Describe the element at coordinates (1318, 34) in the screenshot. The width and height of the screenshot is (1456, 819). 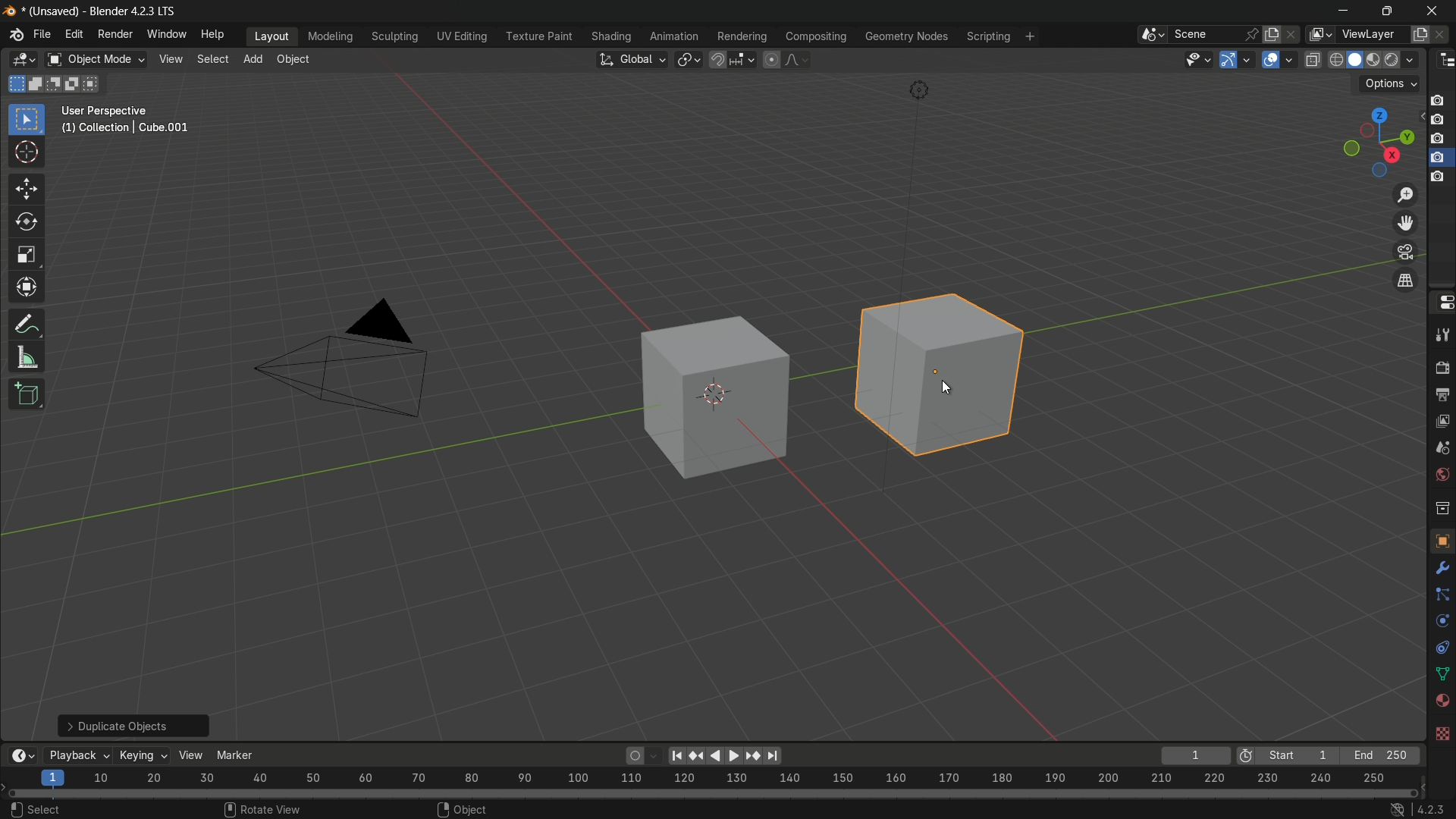
I see `active workspace` at that location.